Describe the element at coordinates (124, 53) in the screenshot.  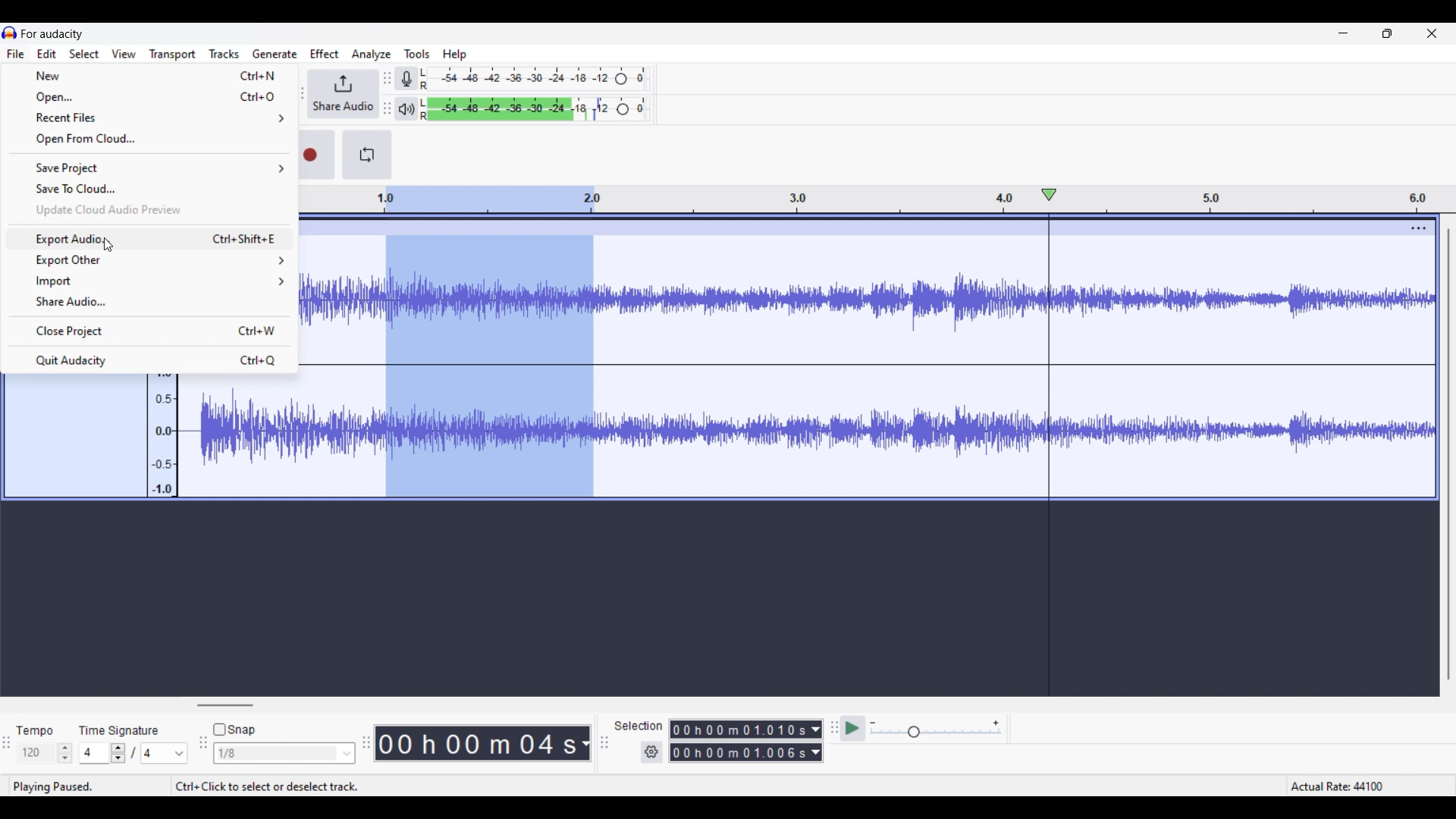
I see `View menu` at that location.